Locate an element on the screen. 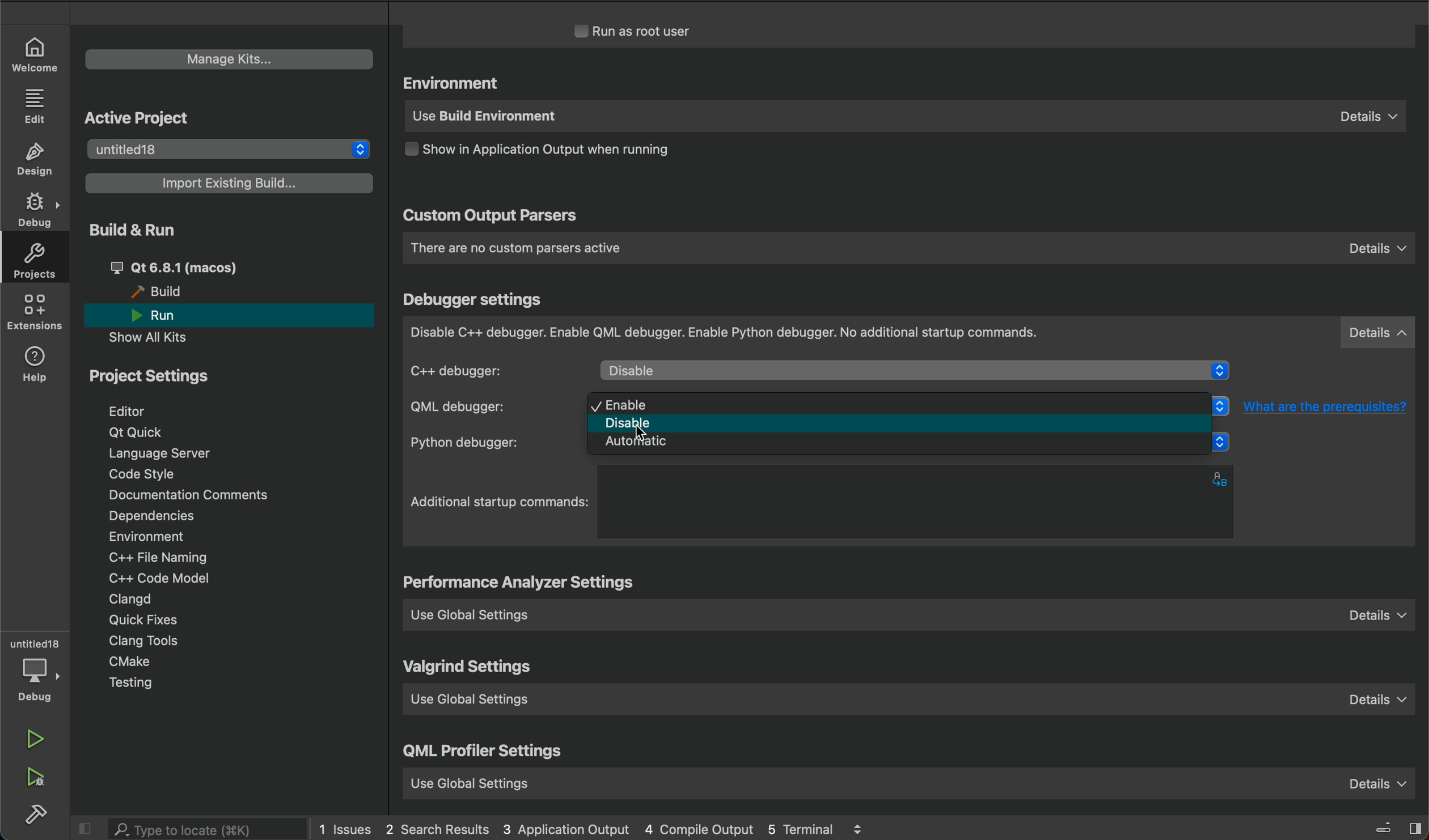 The image size is (1429, 840). output is located at coordinates (557, 152).